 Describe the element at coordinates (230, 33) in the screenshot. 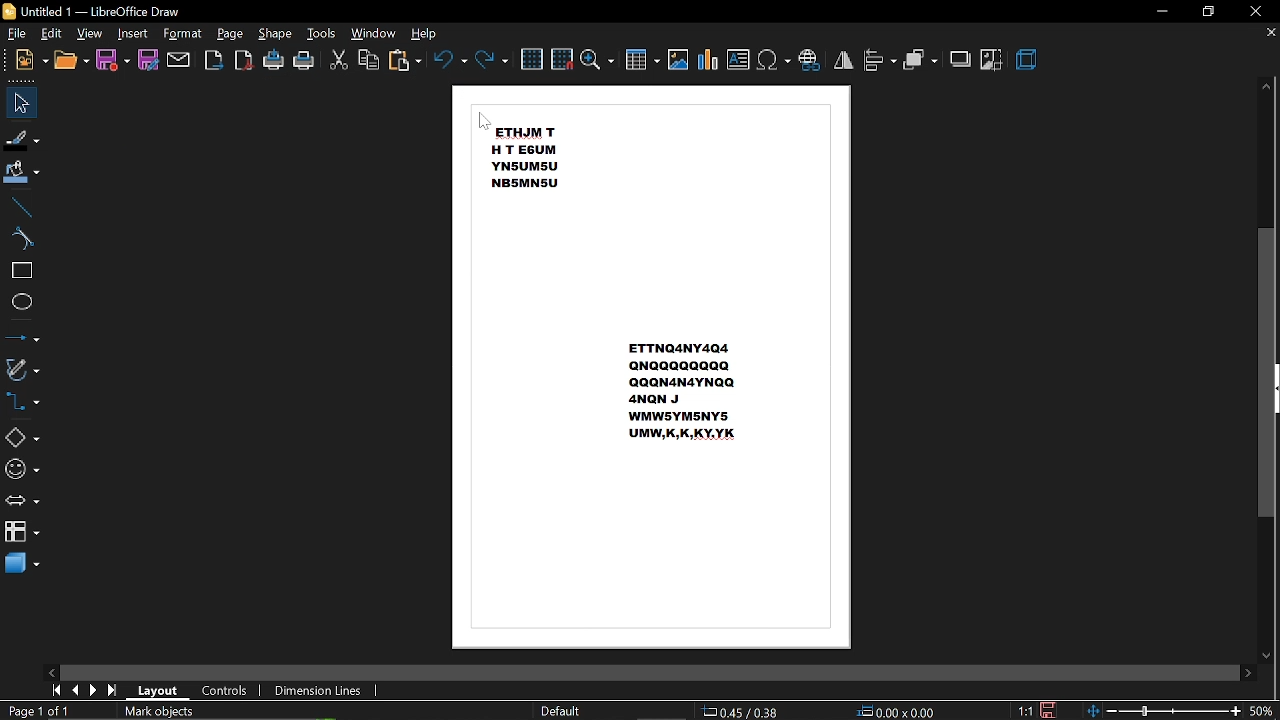

I see `page` at that location.